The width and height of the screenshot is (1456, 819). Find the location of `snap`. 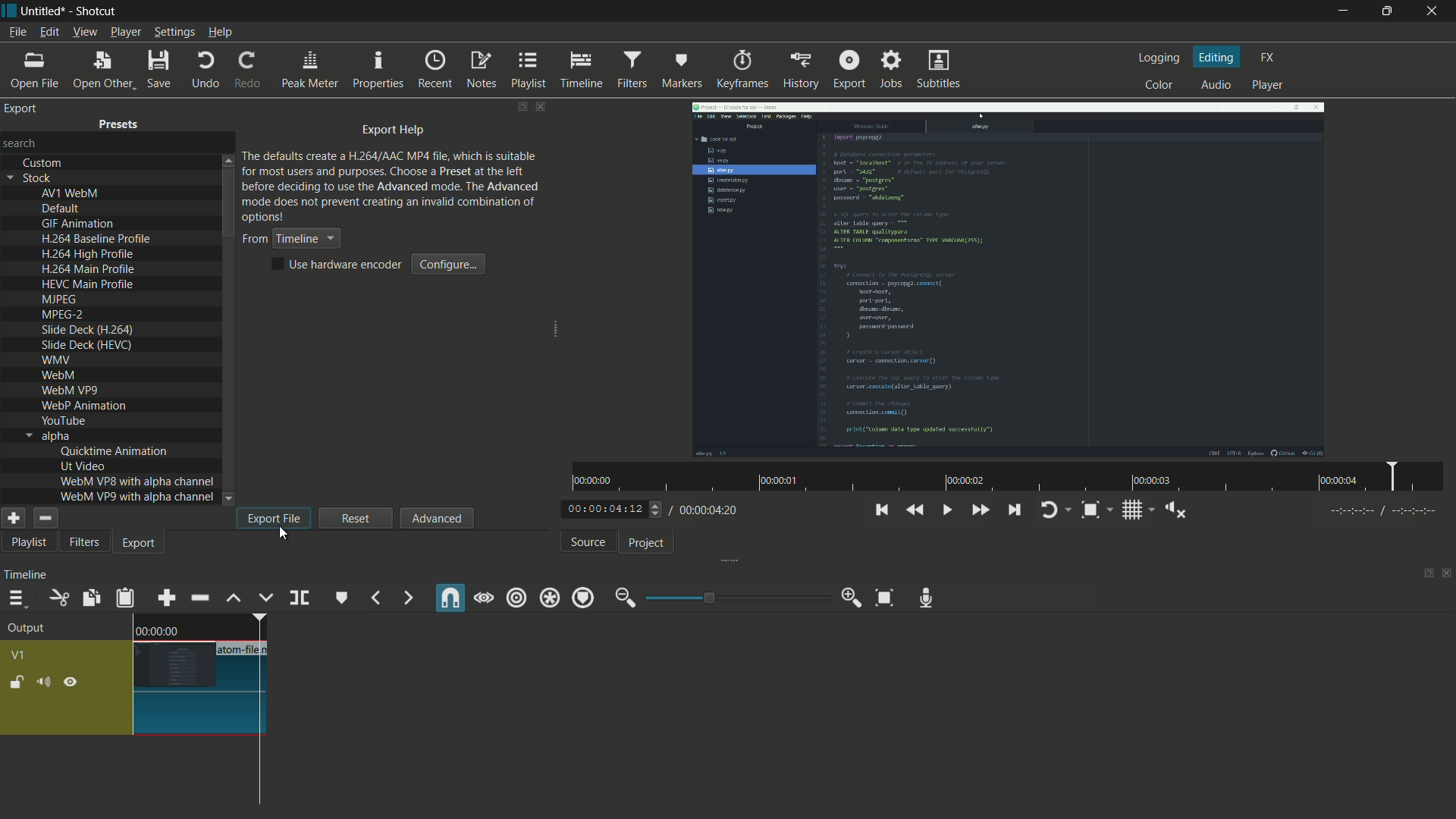

snap is located at coordinates (451, 598).